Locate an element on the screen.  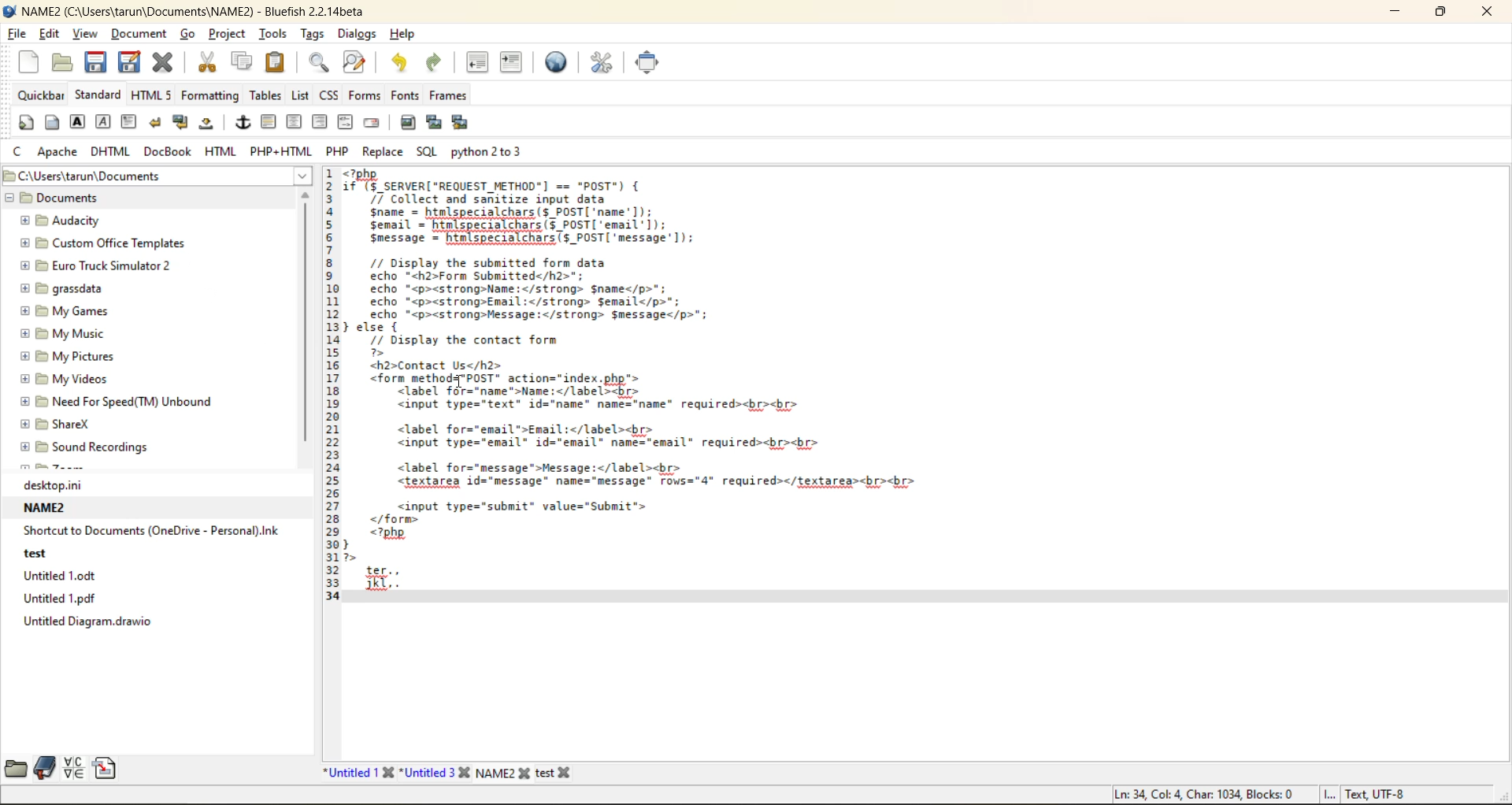
open is located at coordinates (59, 63).